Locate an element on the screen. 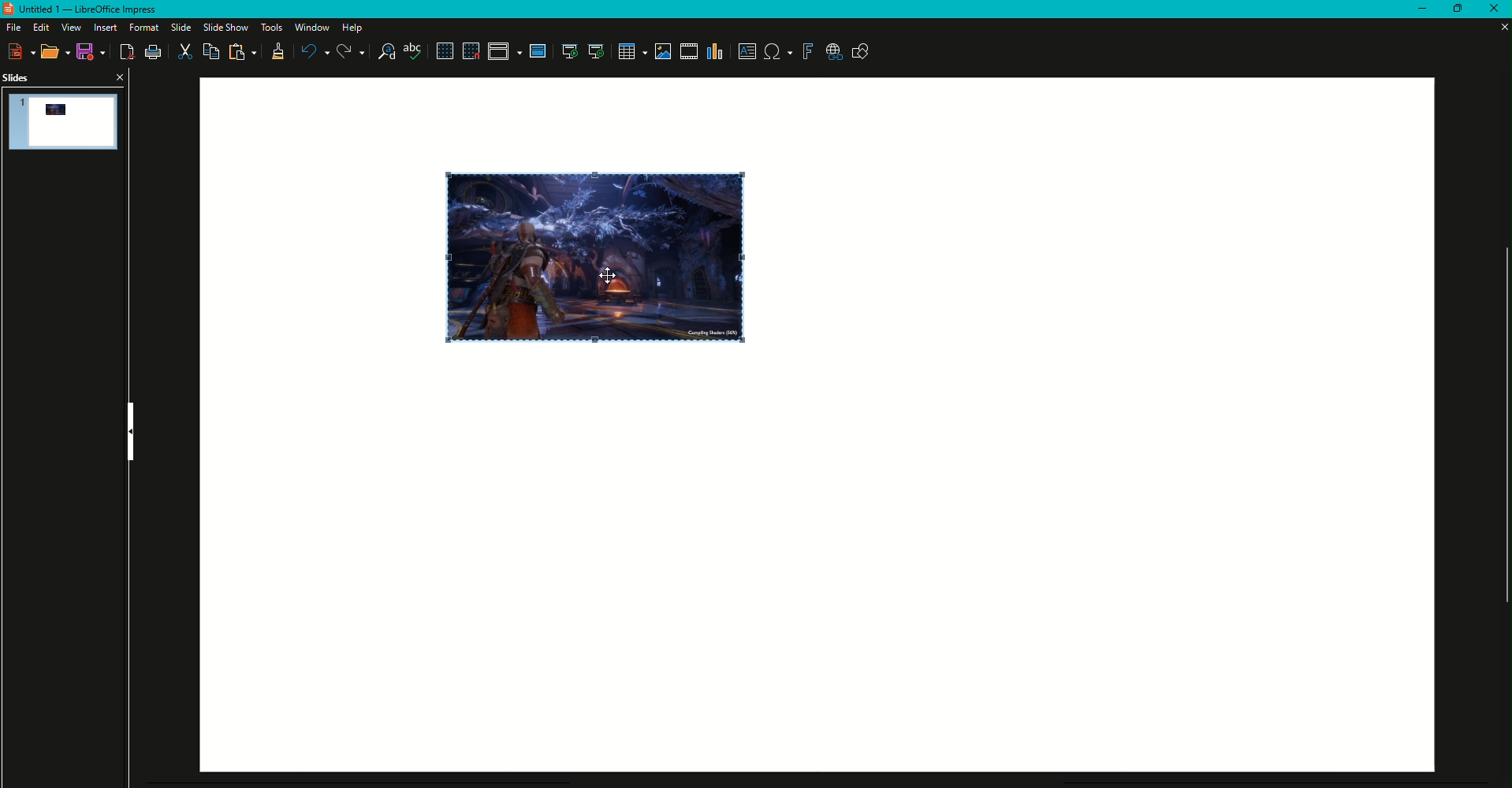 The image size is (1512, 788). Paste is located at coordinates (244, 53).